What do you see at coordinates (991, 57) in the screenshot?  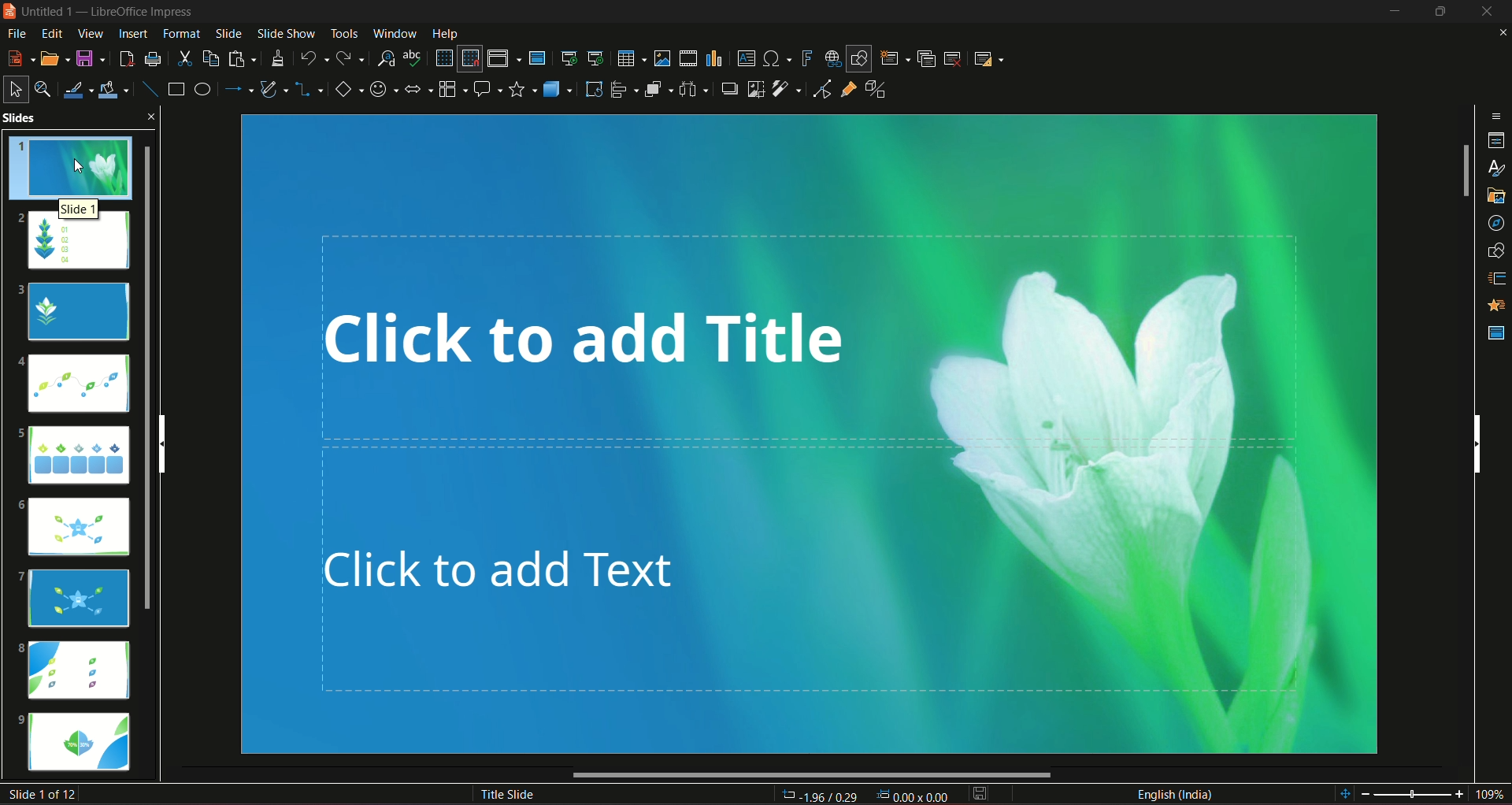 I see `slide layout` at bounding box center [991, 57].